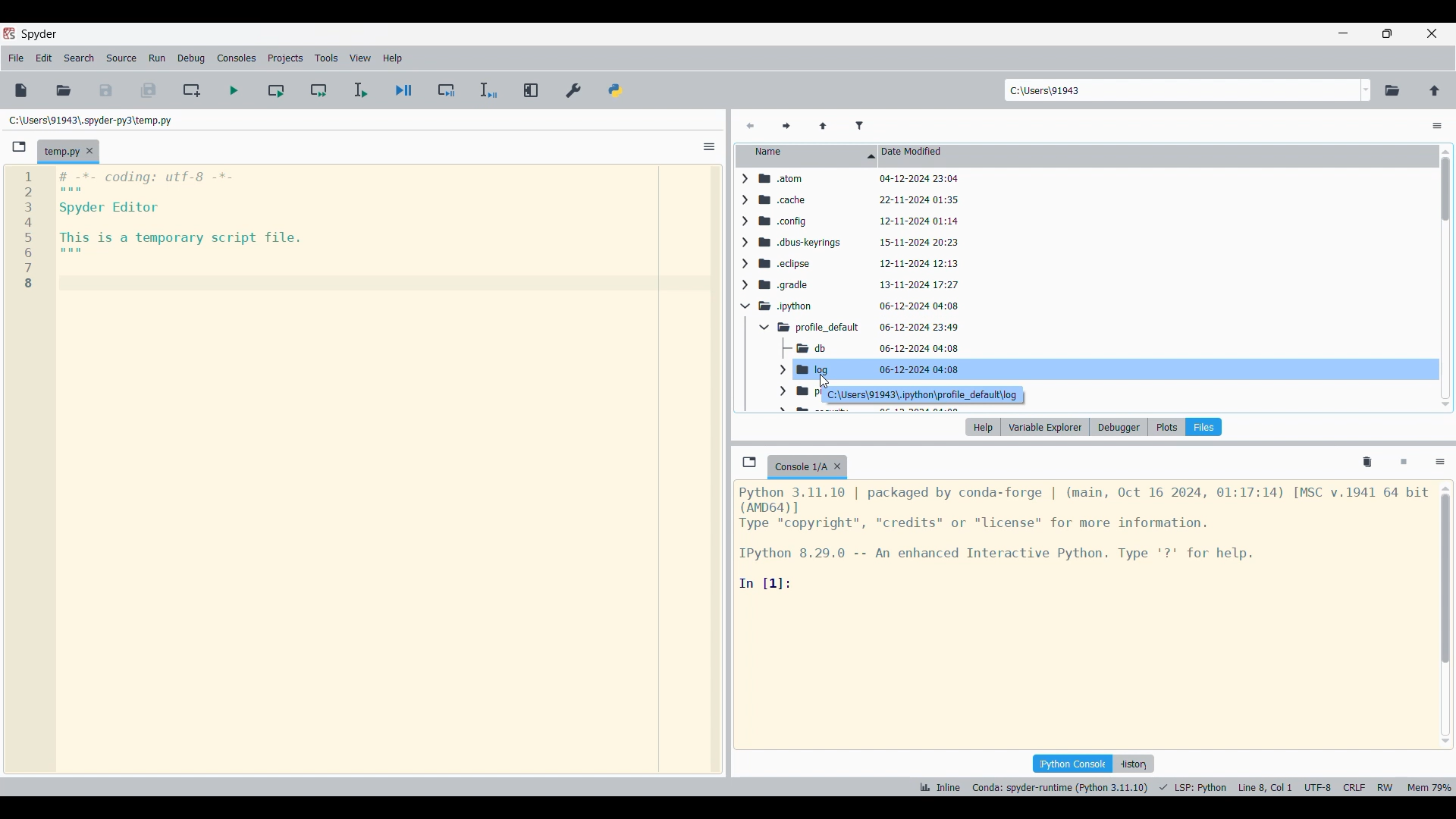 The height and width of the screenshot is (819, 1456). Describe the element at coordinates (192, 58) in the screenshot. I see `Debug menu` at that location.